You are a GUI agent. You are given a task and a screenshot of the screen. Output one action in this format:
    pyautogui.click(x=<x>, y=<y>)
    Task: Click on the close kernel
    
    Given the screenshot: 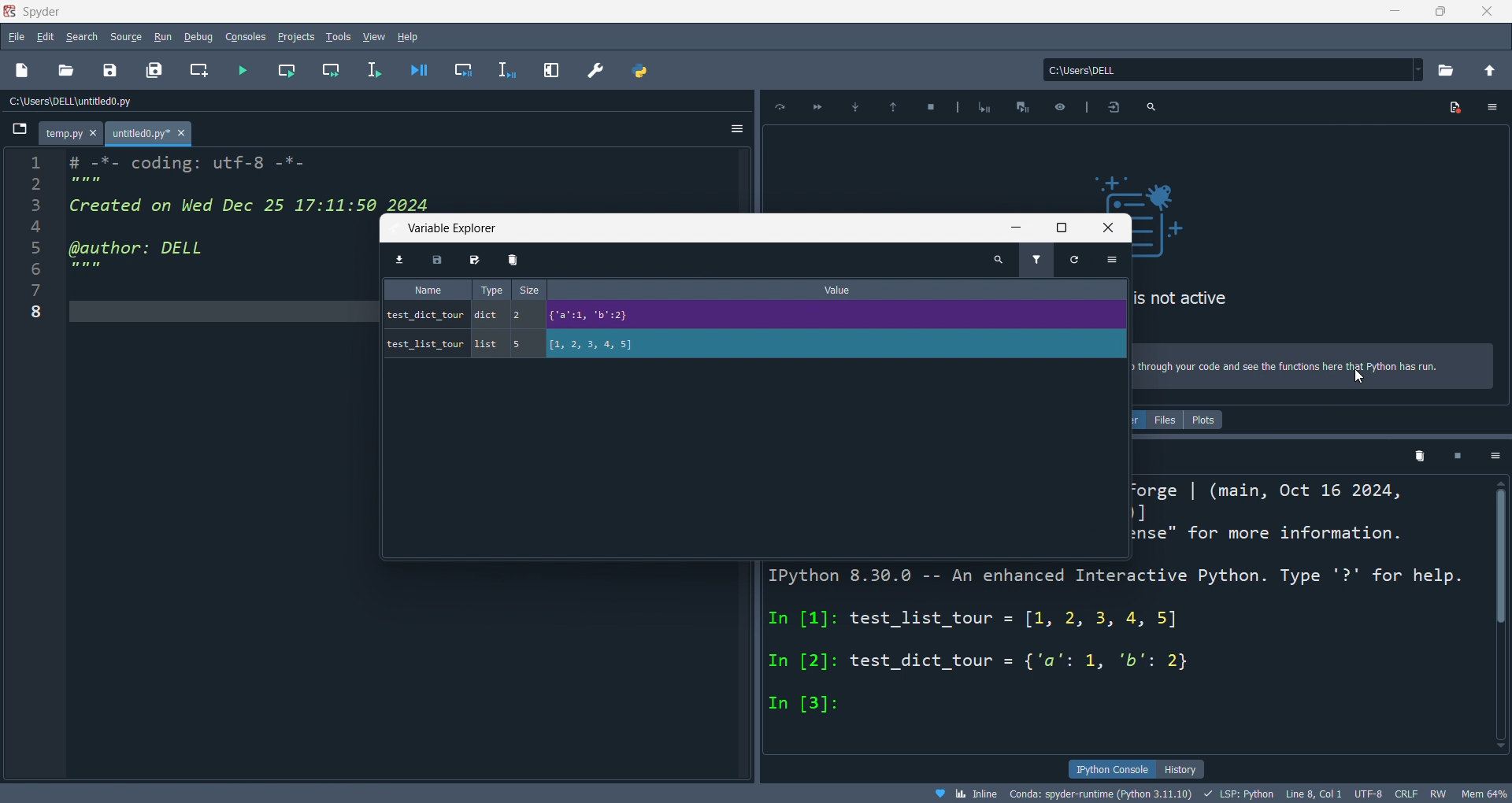 What is the action you would take?
    pyautogui.click(x=1459, y=457)
    